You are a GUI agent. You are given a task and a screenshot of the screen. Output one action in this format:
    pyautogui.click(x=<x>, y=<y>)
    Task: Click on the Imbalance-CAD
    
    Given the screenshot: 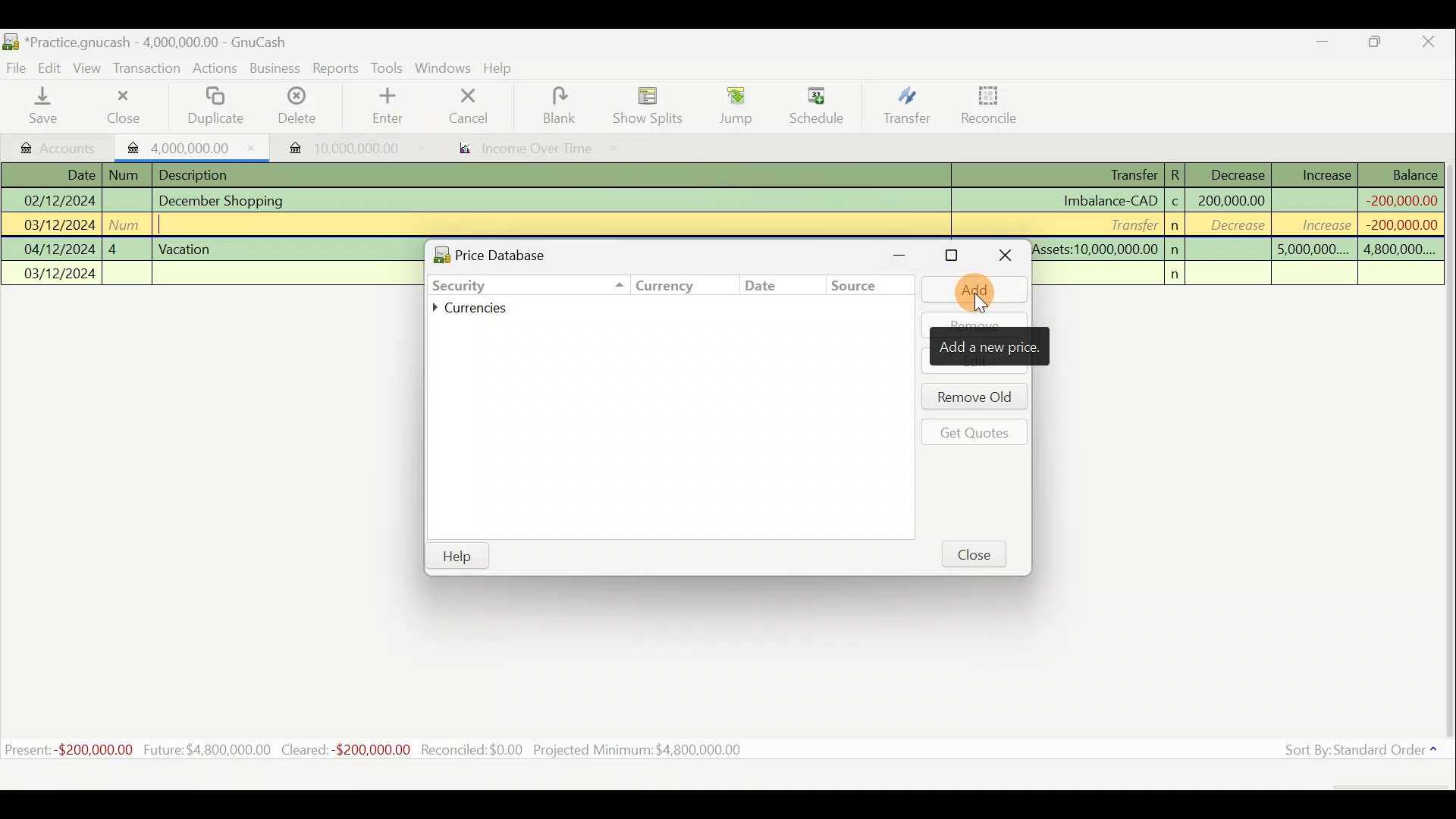 What is the action you would take?
    pyautogui.click(x=1109, y=200)
    